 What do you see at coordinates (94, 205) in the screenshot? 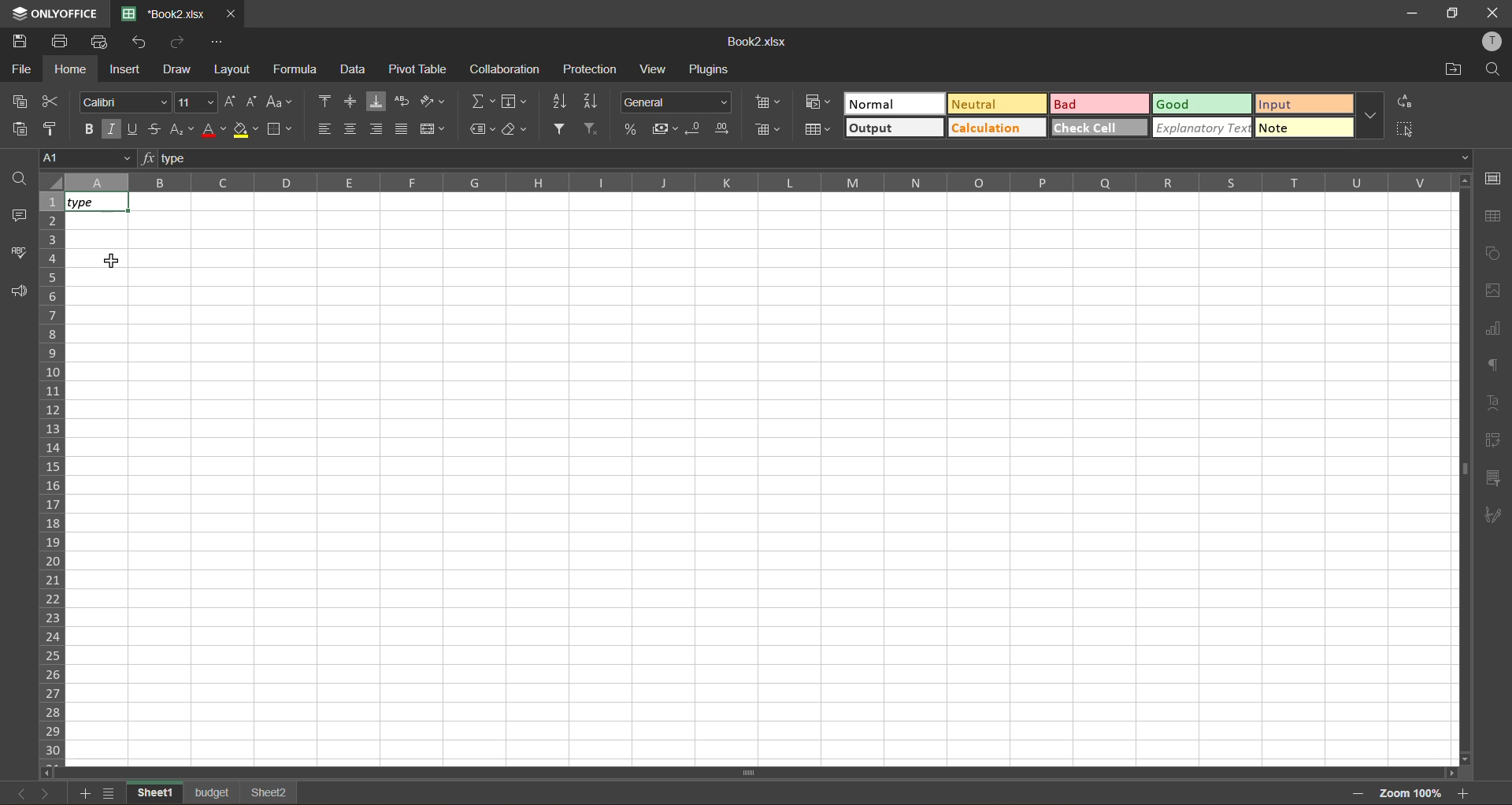
I see `text in italic font` at bounding box center [94, 205].